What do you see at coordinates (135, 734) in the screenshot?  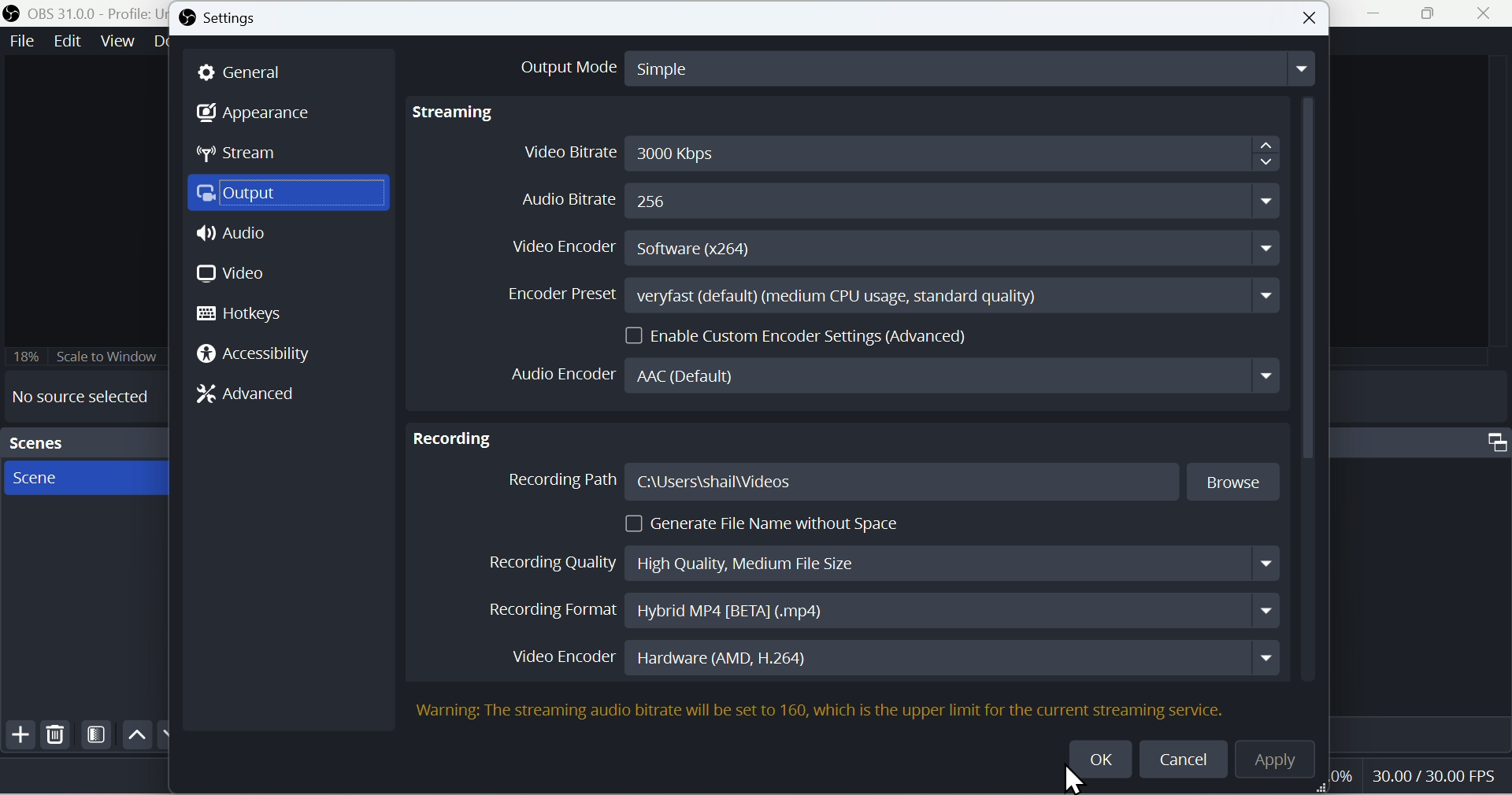 I see `up` at bounding box center [135, 734].